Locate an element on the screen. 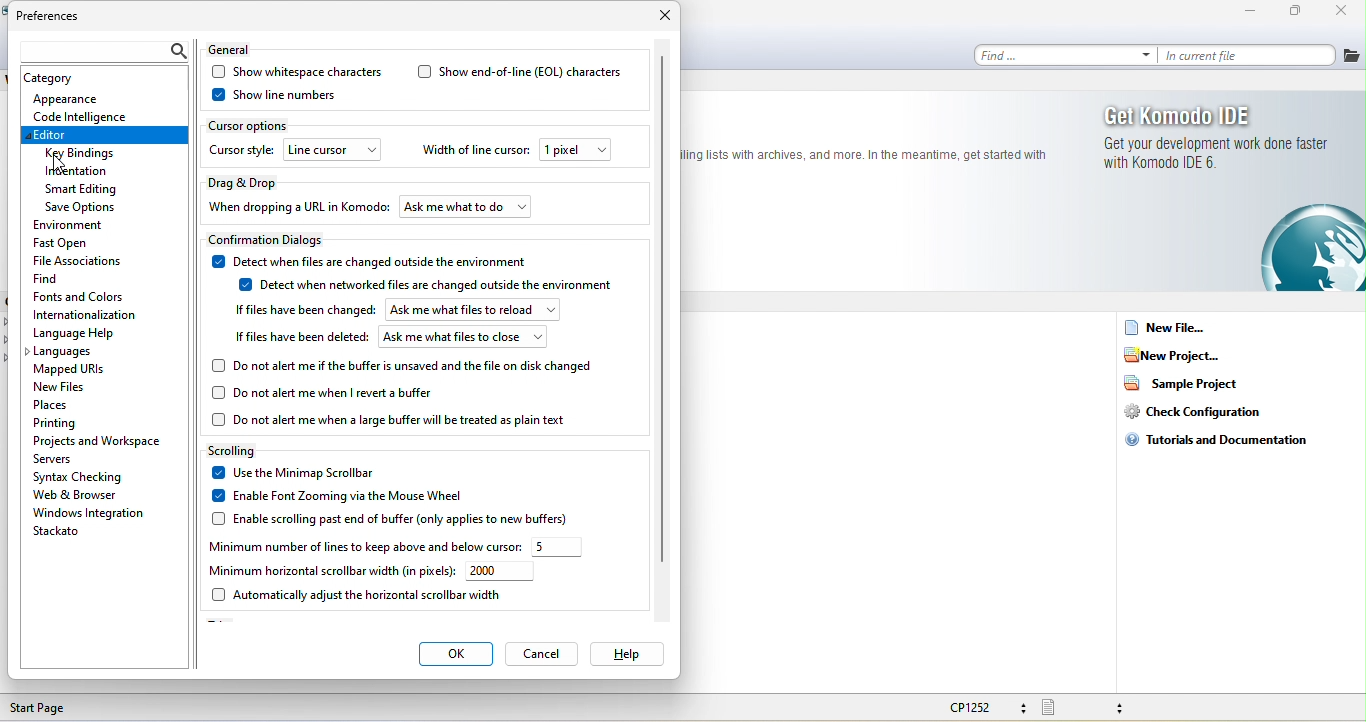 The width and height of the screenshot is (1366, 722). file associations is located at coordinates (78, 259).